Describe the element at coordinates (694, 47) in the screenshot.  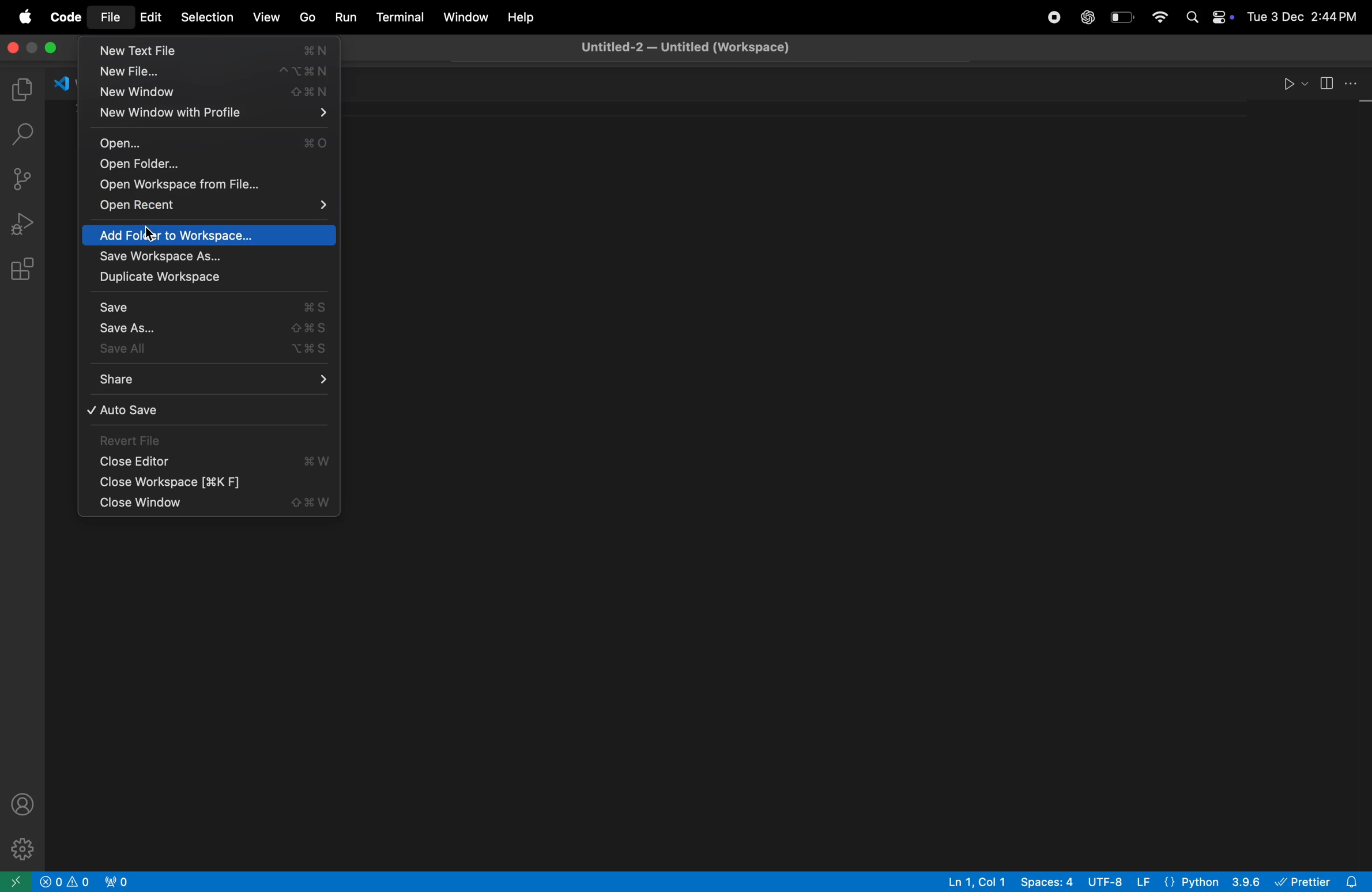
I see `untitled workspace` at that location.